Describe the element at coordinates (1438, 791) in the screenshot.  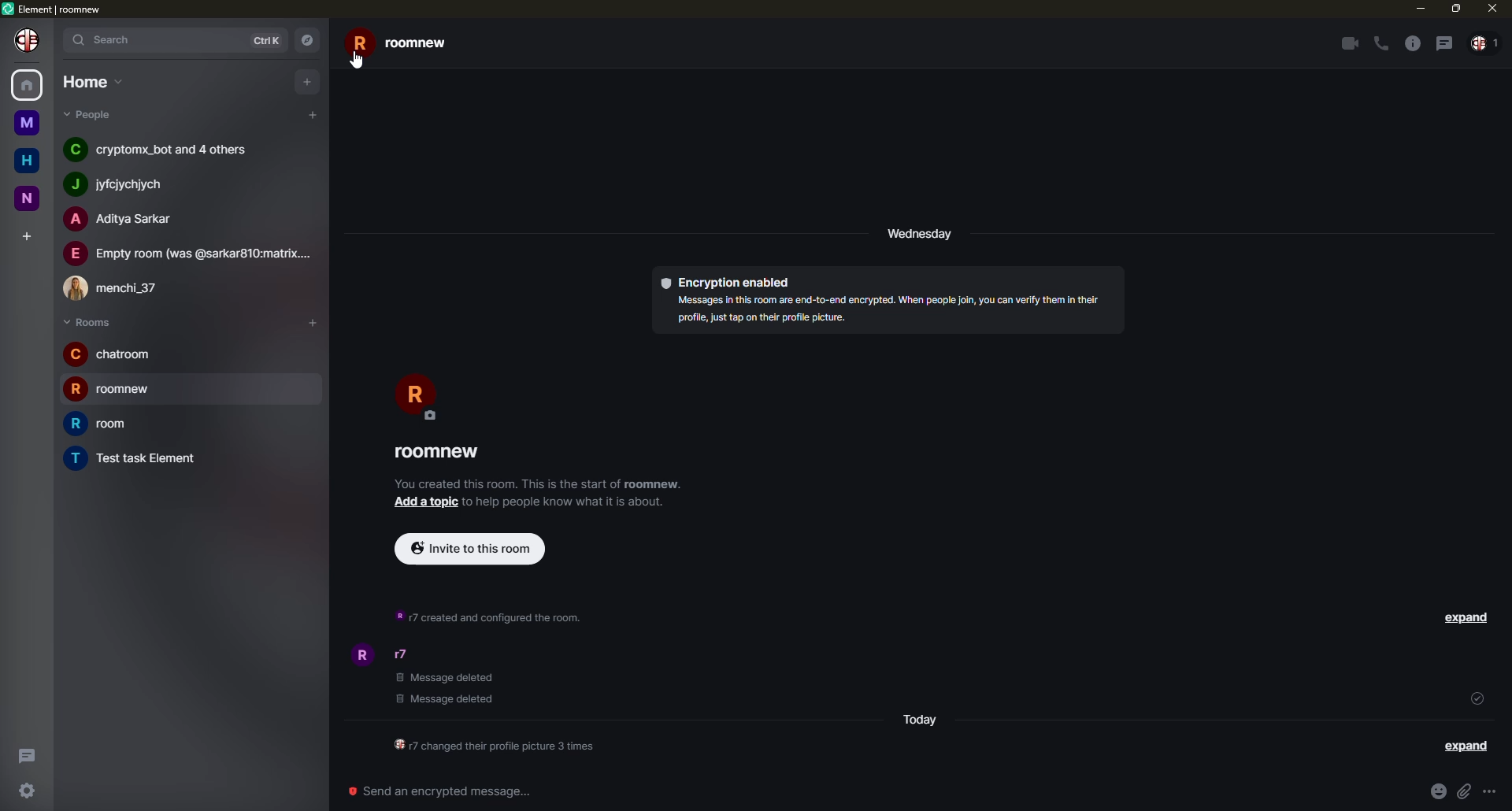
I see `emoji` at that location.